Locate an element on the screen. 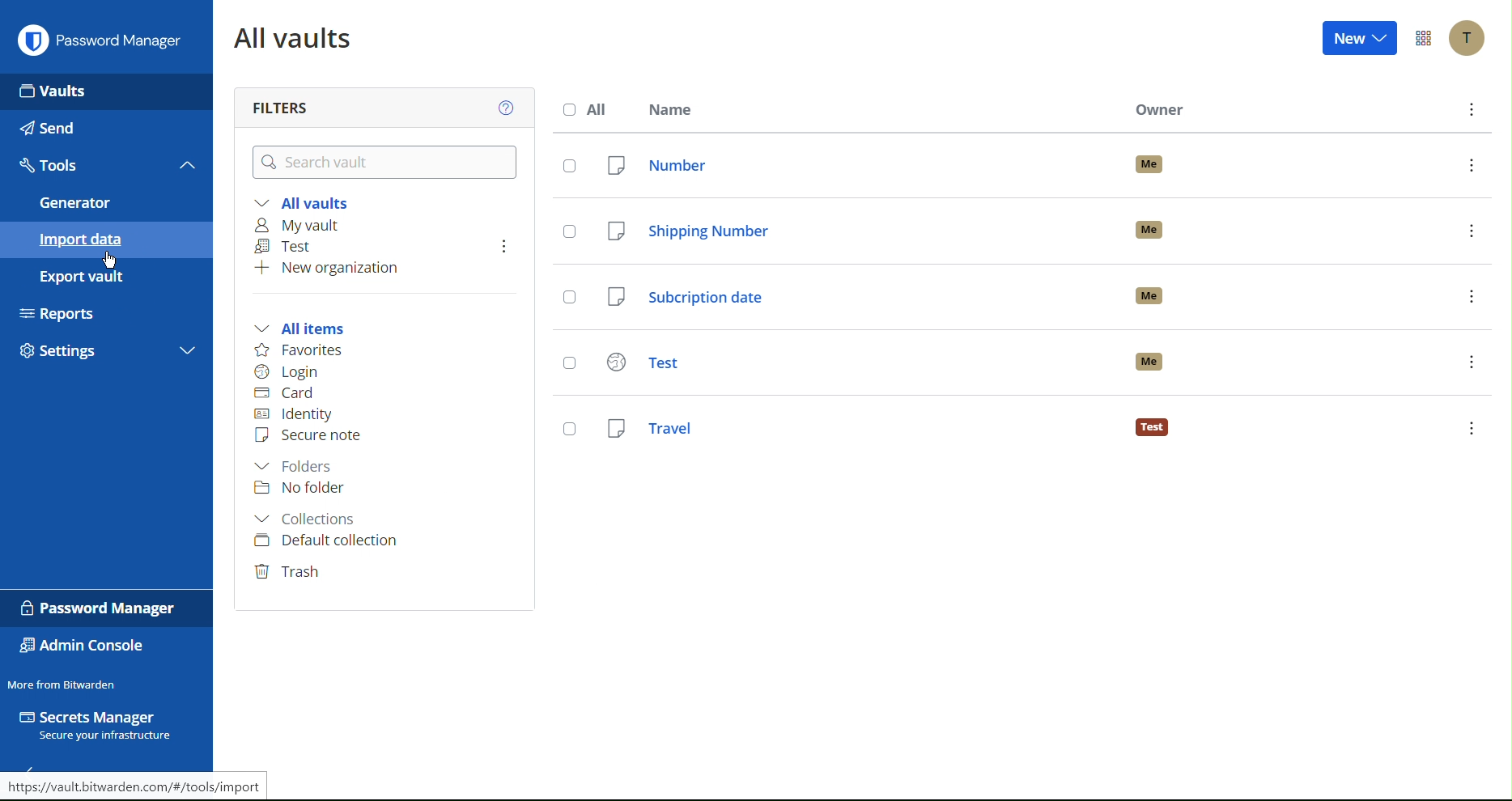 This screenshot has width=1512, height=801. options is located at coordinates (1472, 230).